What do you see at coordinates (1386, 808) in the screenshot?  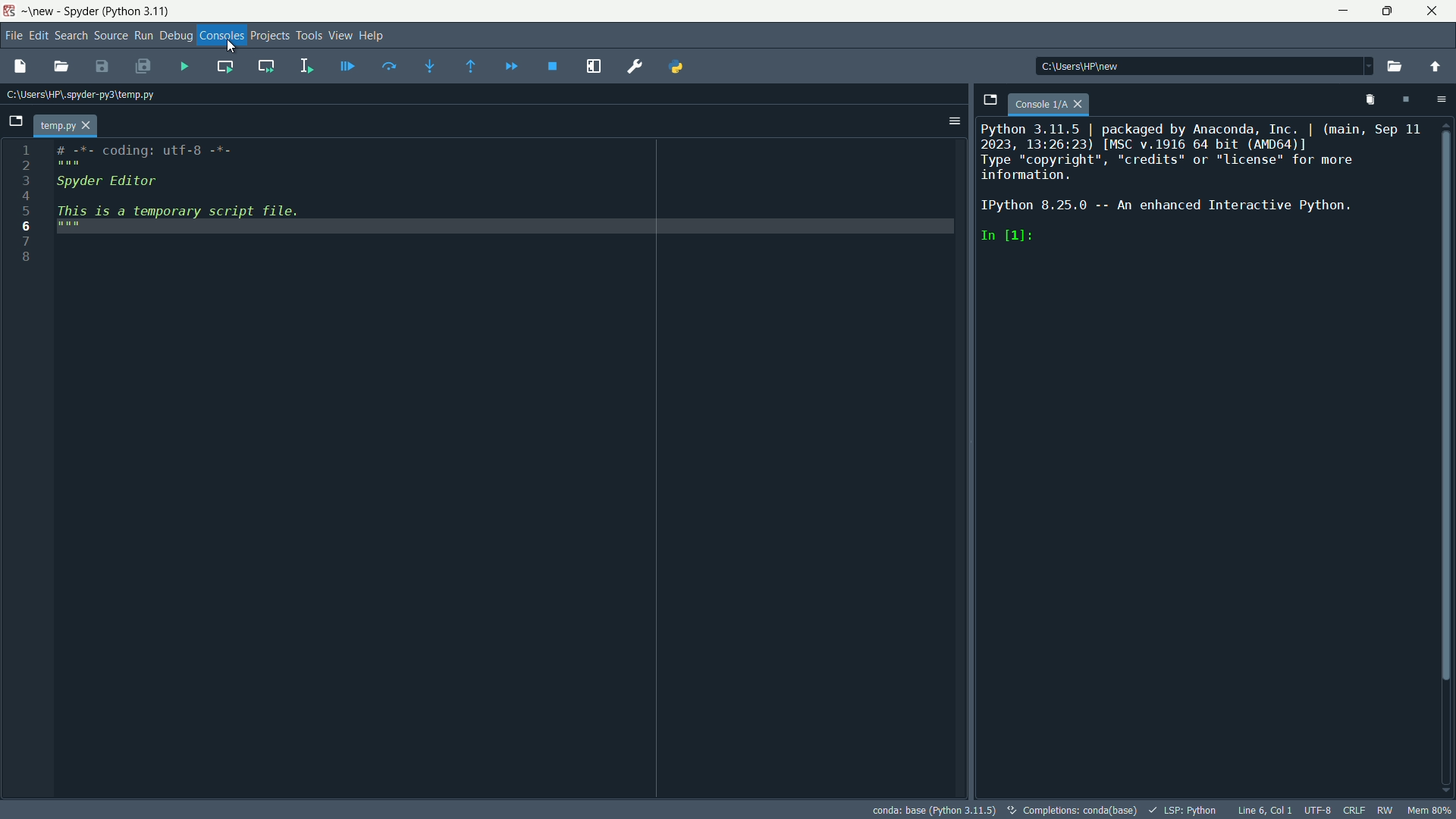 I see `rw` at bounding box center [1386, 808].